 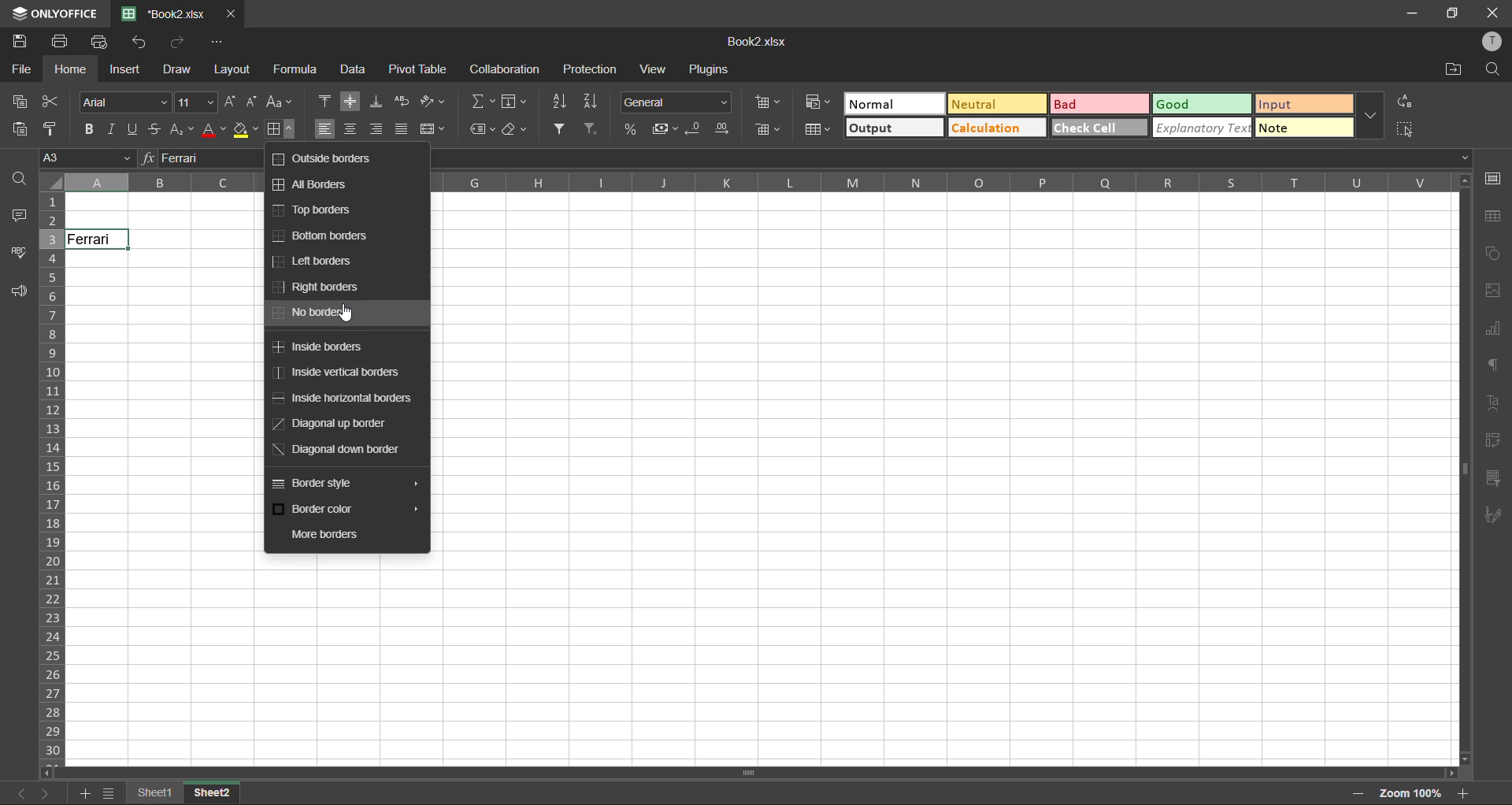 I want to click on input, so click(x=1305, y=104).